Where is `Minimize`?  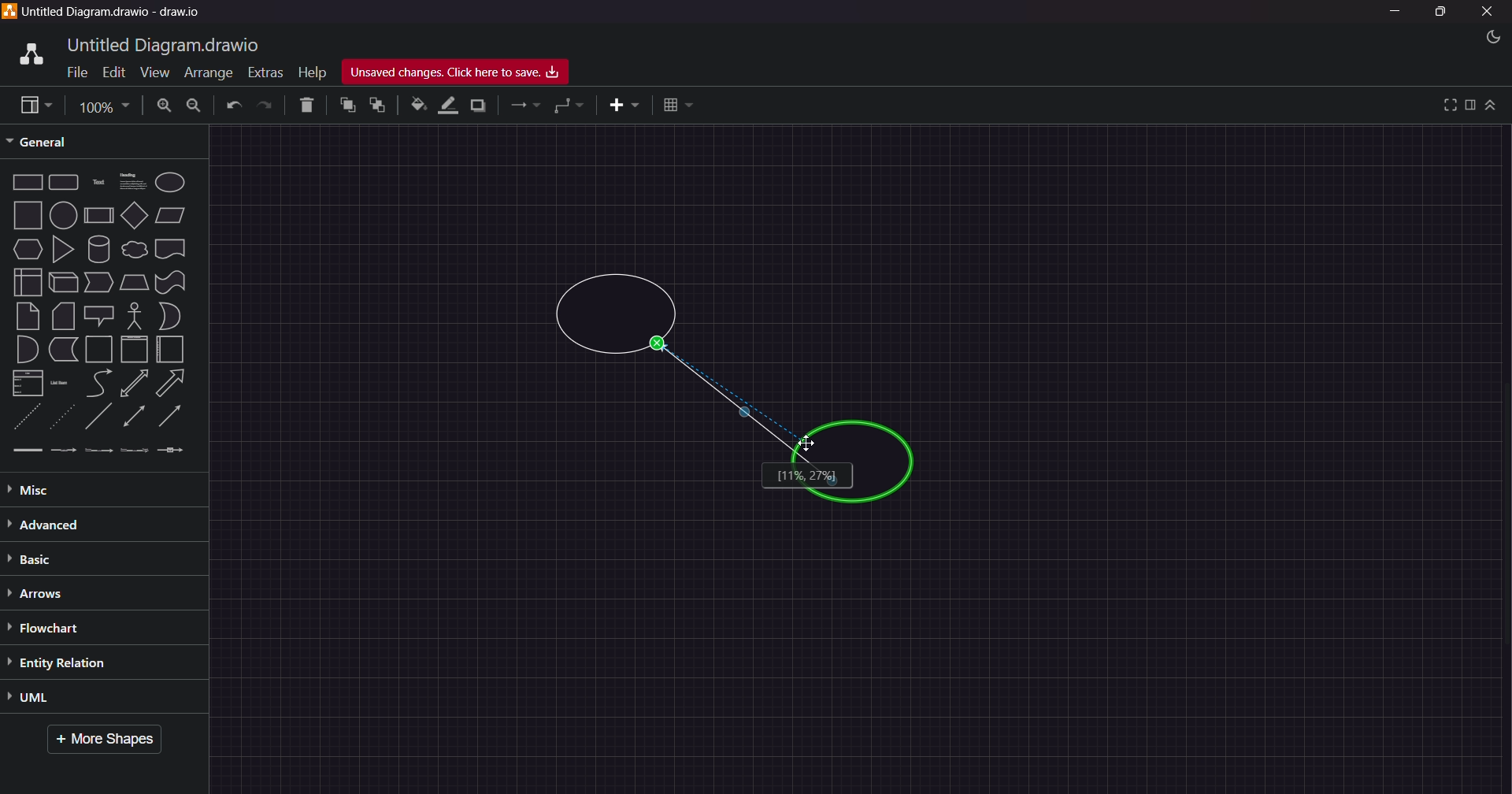
Minimize is located at coordinates (1399, 13).